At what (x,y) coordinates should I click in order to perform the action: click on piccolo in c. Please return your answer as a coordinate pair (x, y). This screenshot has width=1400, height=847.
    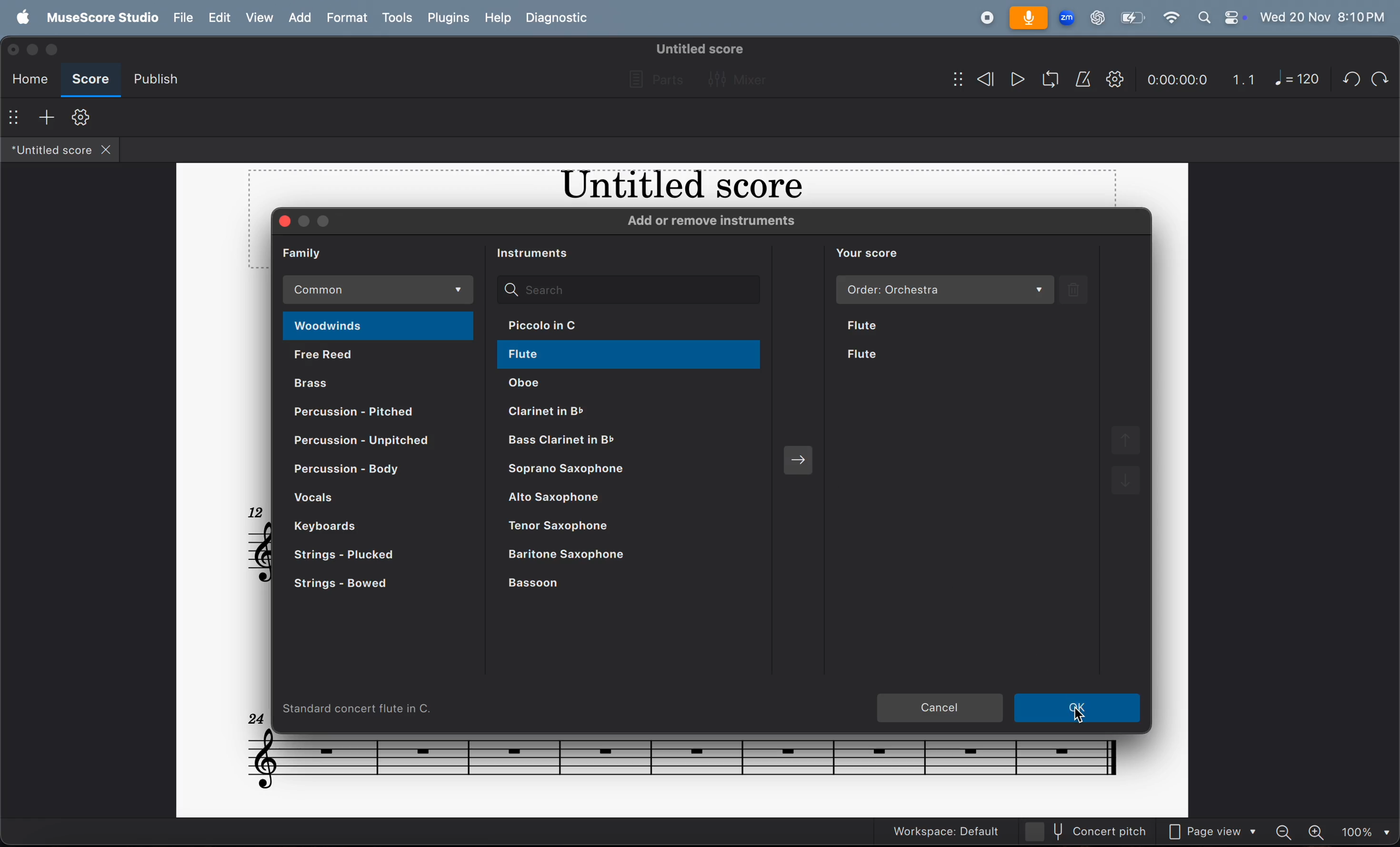
    Looking at the image, I should click on (625, 326).